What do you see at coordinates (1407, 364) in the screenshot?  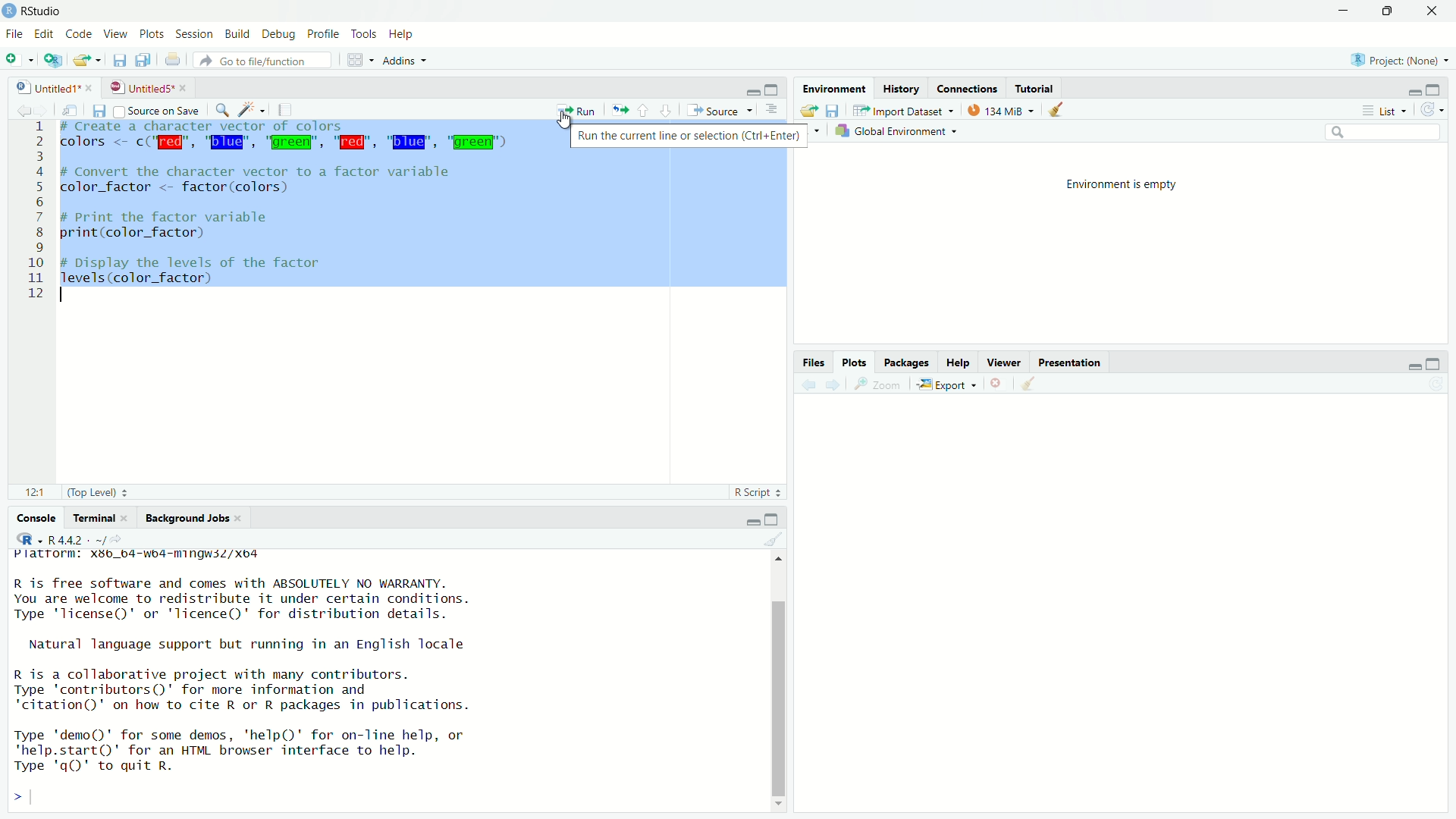 I see `minimize` at bounding box center [1407, 364].